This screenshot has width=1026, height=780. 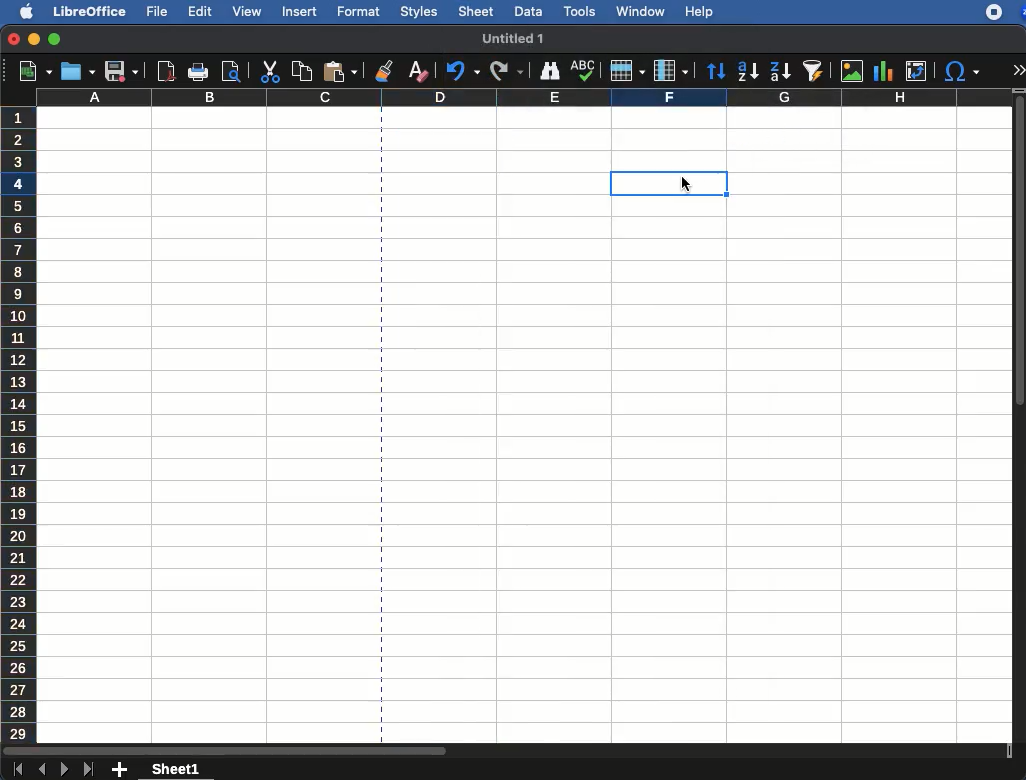 What do you see at coordinates (690, 183) in the screenshot?
I see `cursor` at bounding box center [690, 183].